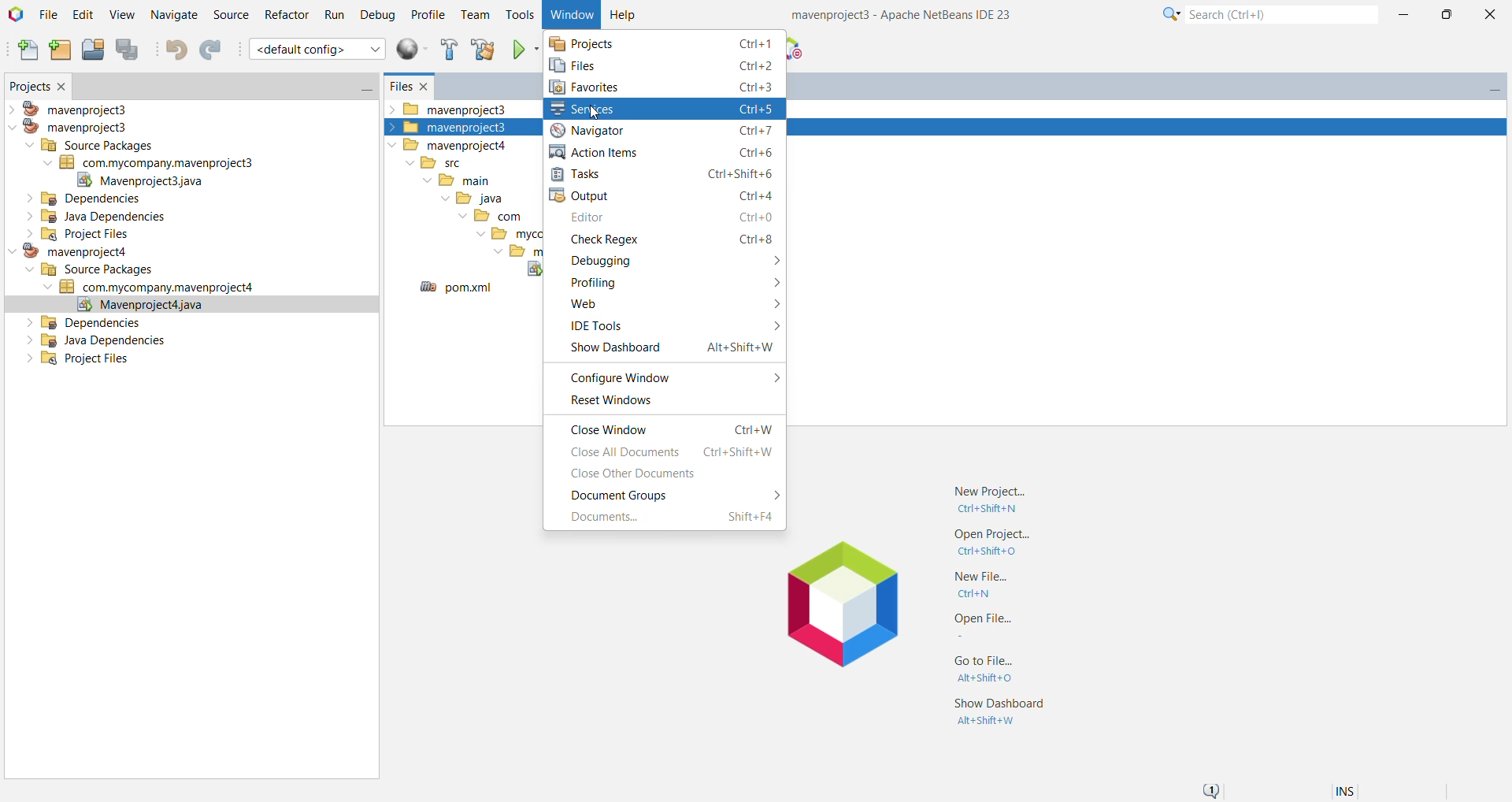 The height and width of the screenshot is (802, 1512). Describe the element at coordinates (191, 304) in the screenshot. I see `Mavenproject.java` at that location.